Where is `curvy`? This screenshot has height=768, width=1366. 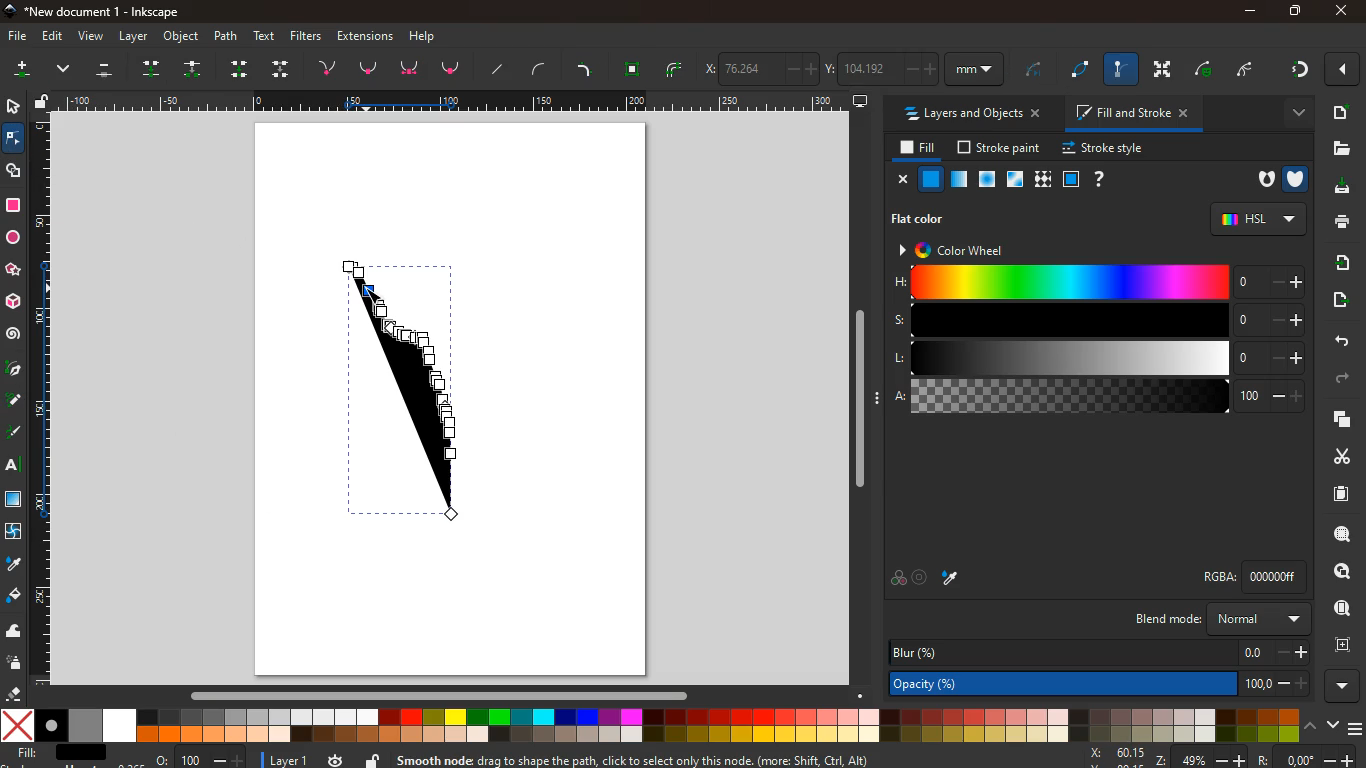 curvy is located at coordinates (543, 69).